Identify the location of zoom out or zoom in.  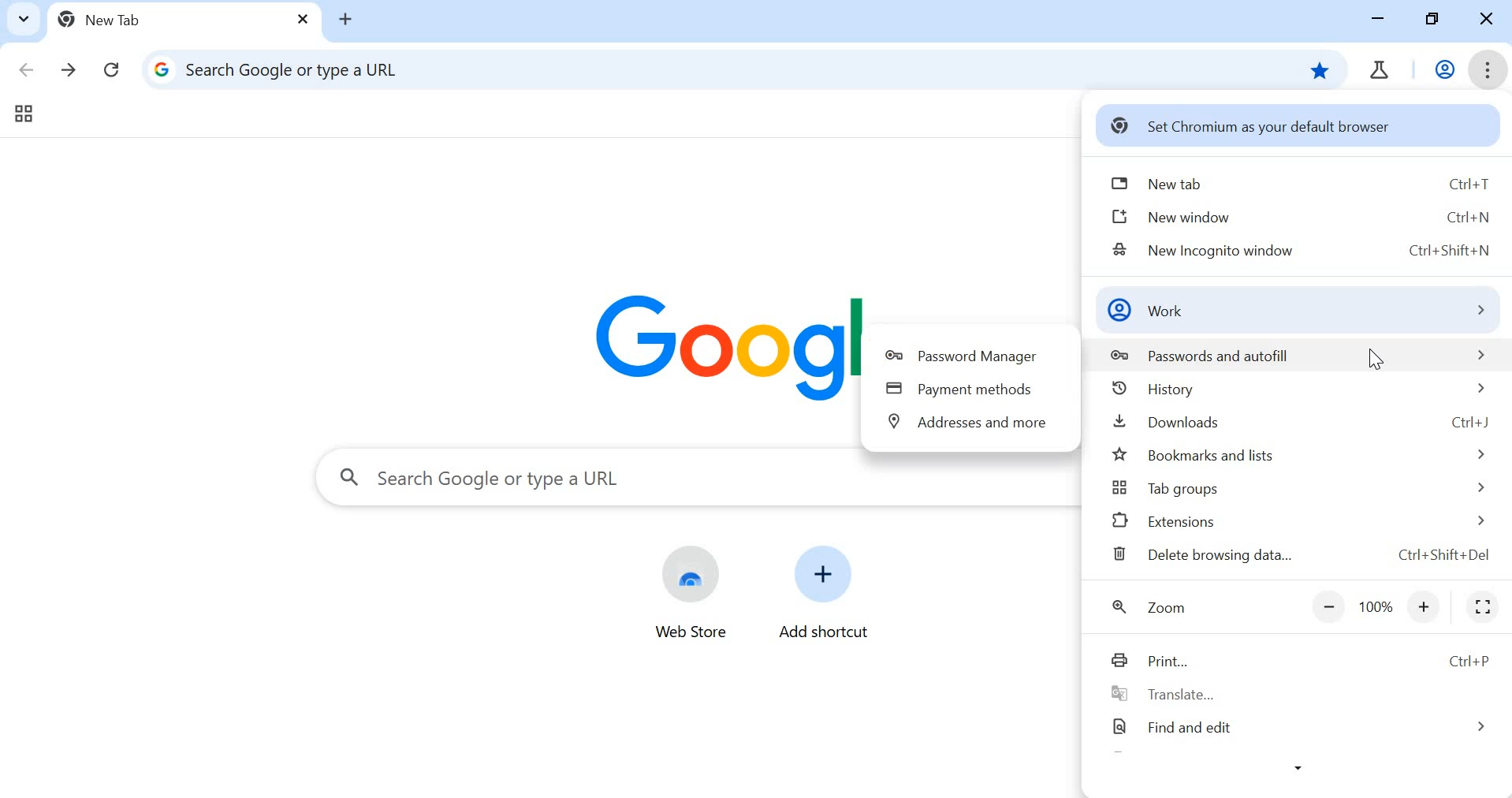
(1377, 606).